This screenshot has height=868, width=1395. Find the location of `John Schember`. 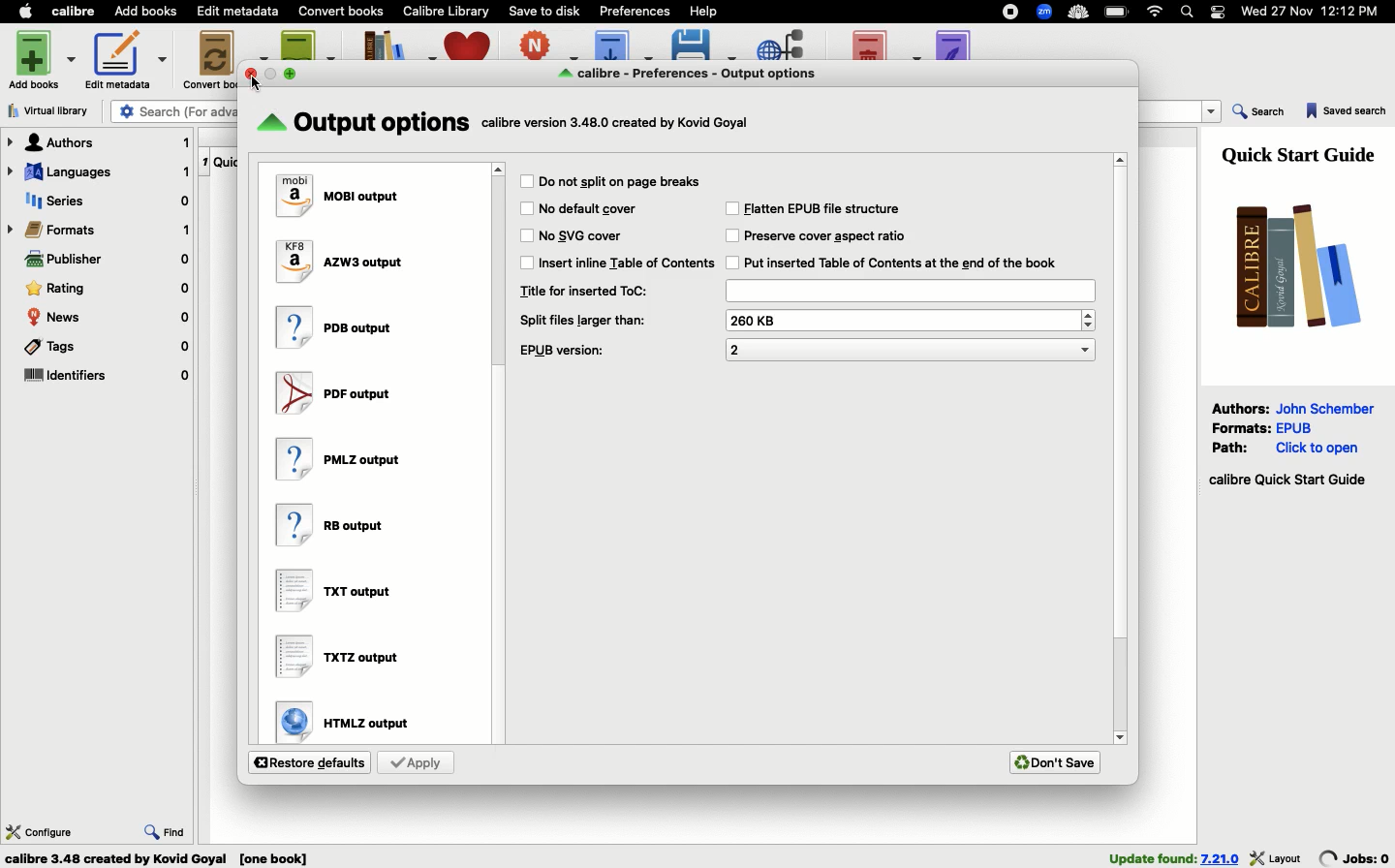

John Schember is located at coordinates (1328, 407).